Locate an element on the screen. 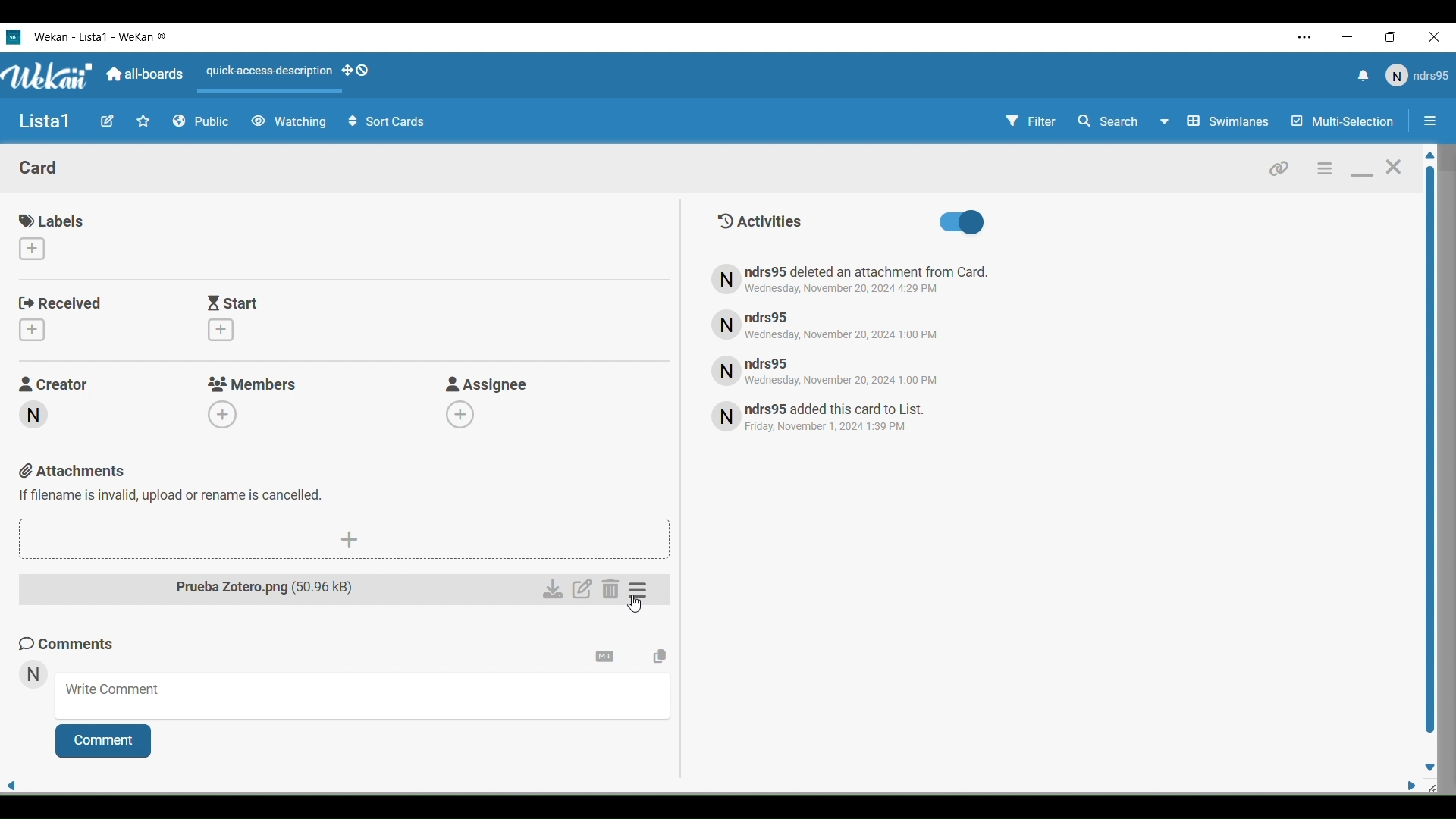 This screenshot has width=1456, height=819. Swimlines is located at coordinates (1230, 121).